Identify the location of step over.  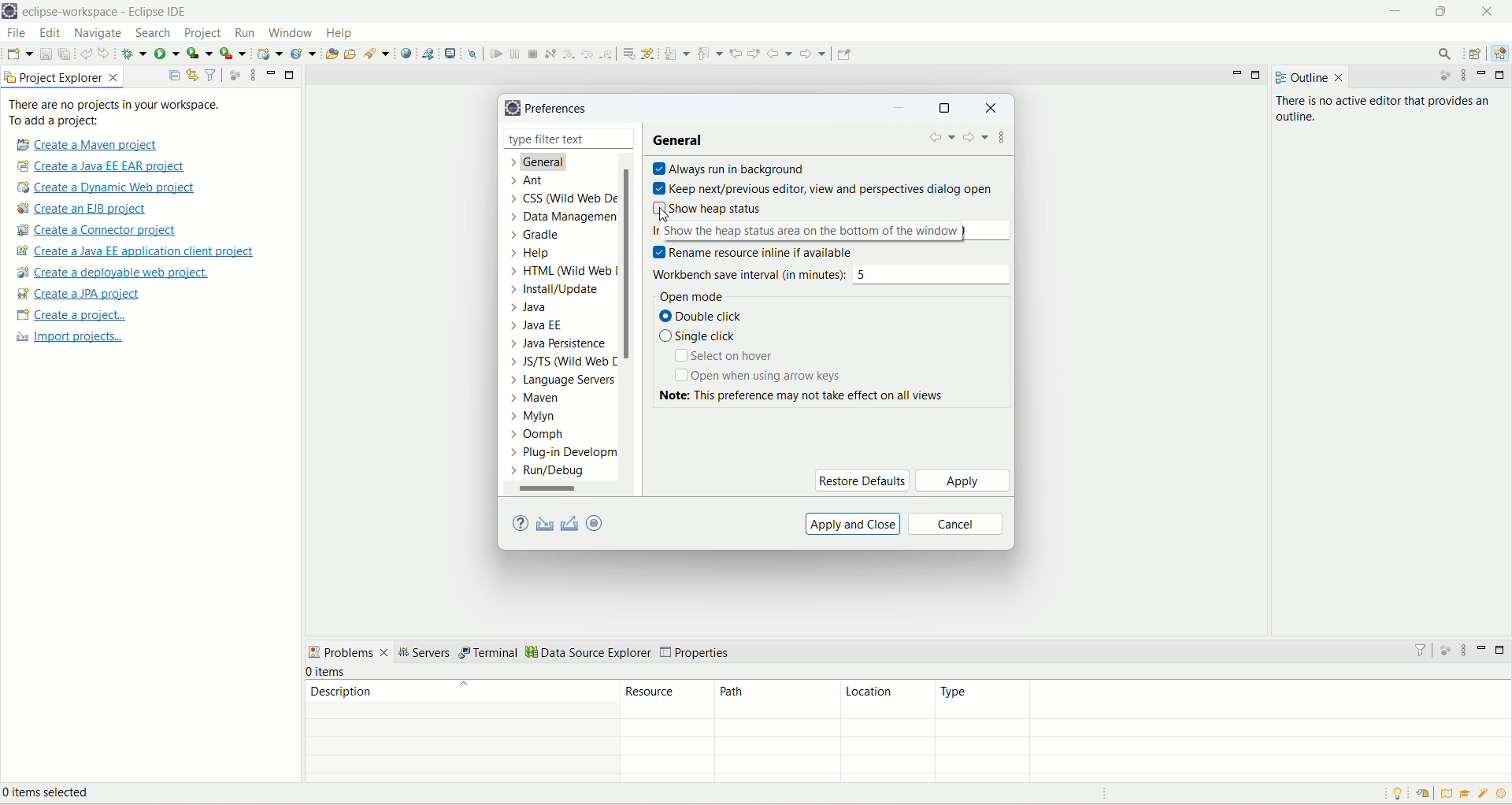
(586, 54).